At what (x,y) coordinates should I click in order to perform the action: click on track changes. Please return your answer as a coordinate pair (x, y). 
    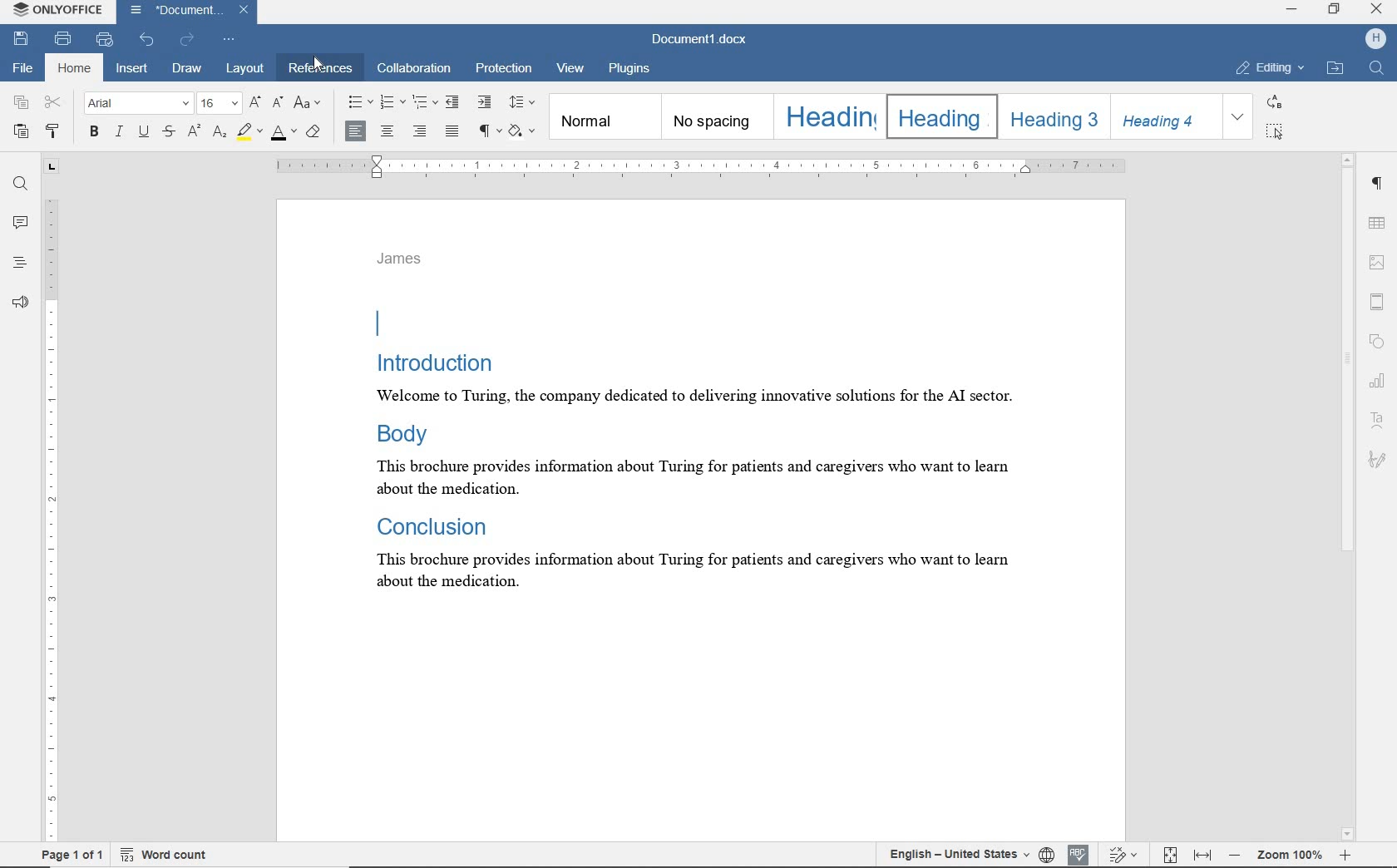
    Looking at the image, I should click on (1124, 855).